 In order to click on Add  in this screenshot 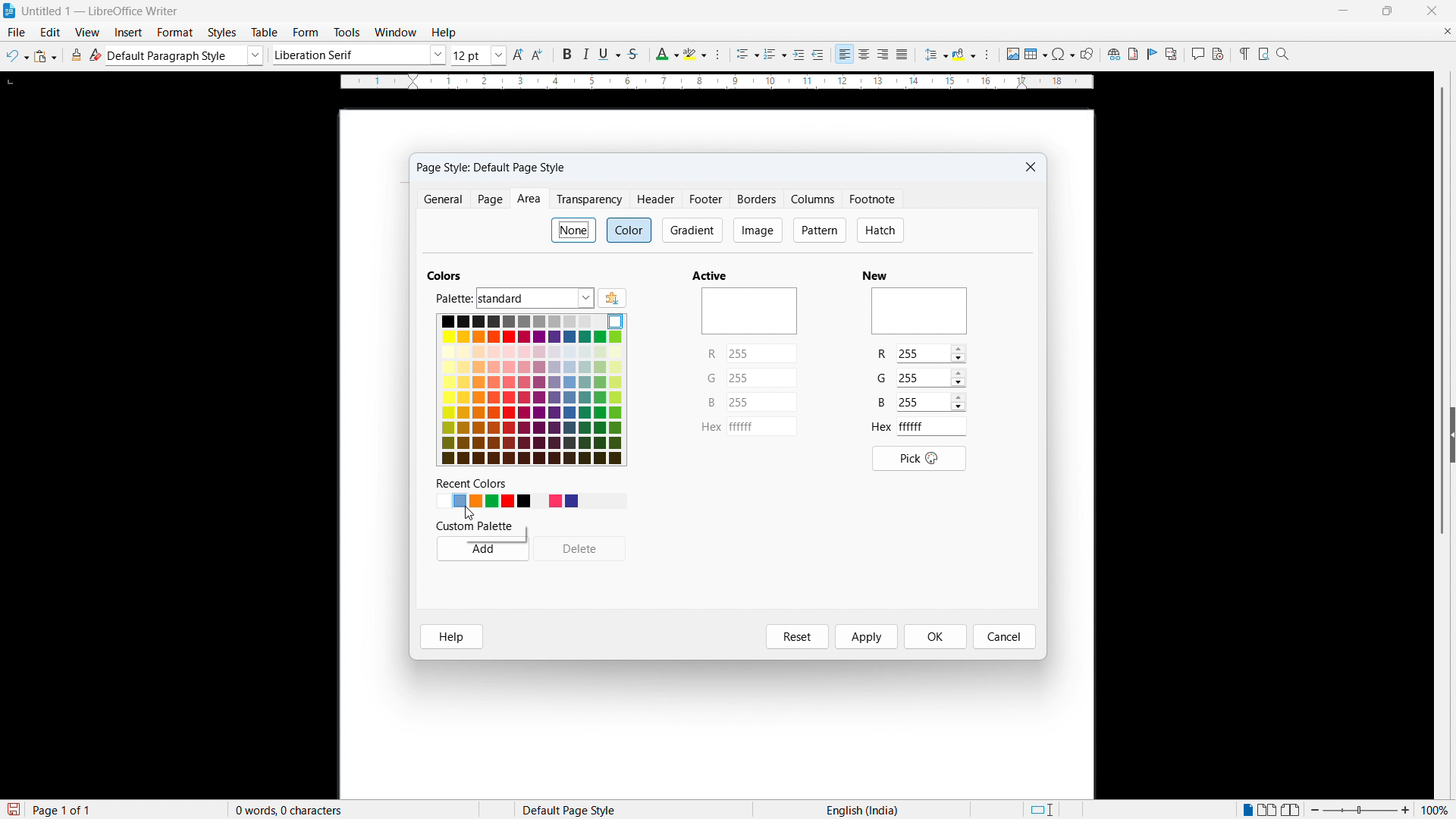, I will do `click(483, 548)`.